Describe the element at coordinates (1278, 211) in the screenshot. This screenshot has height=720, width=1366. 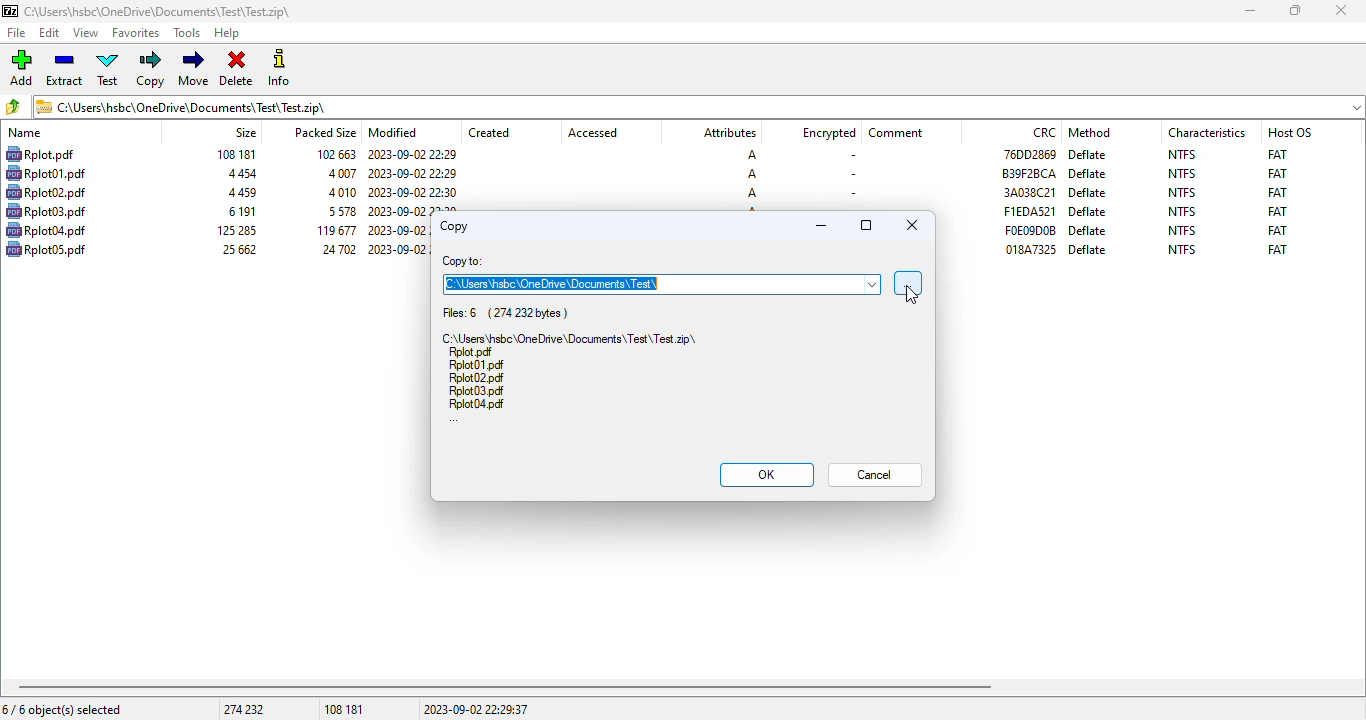
I see `FAT` at that location.